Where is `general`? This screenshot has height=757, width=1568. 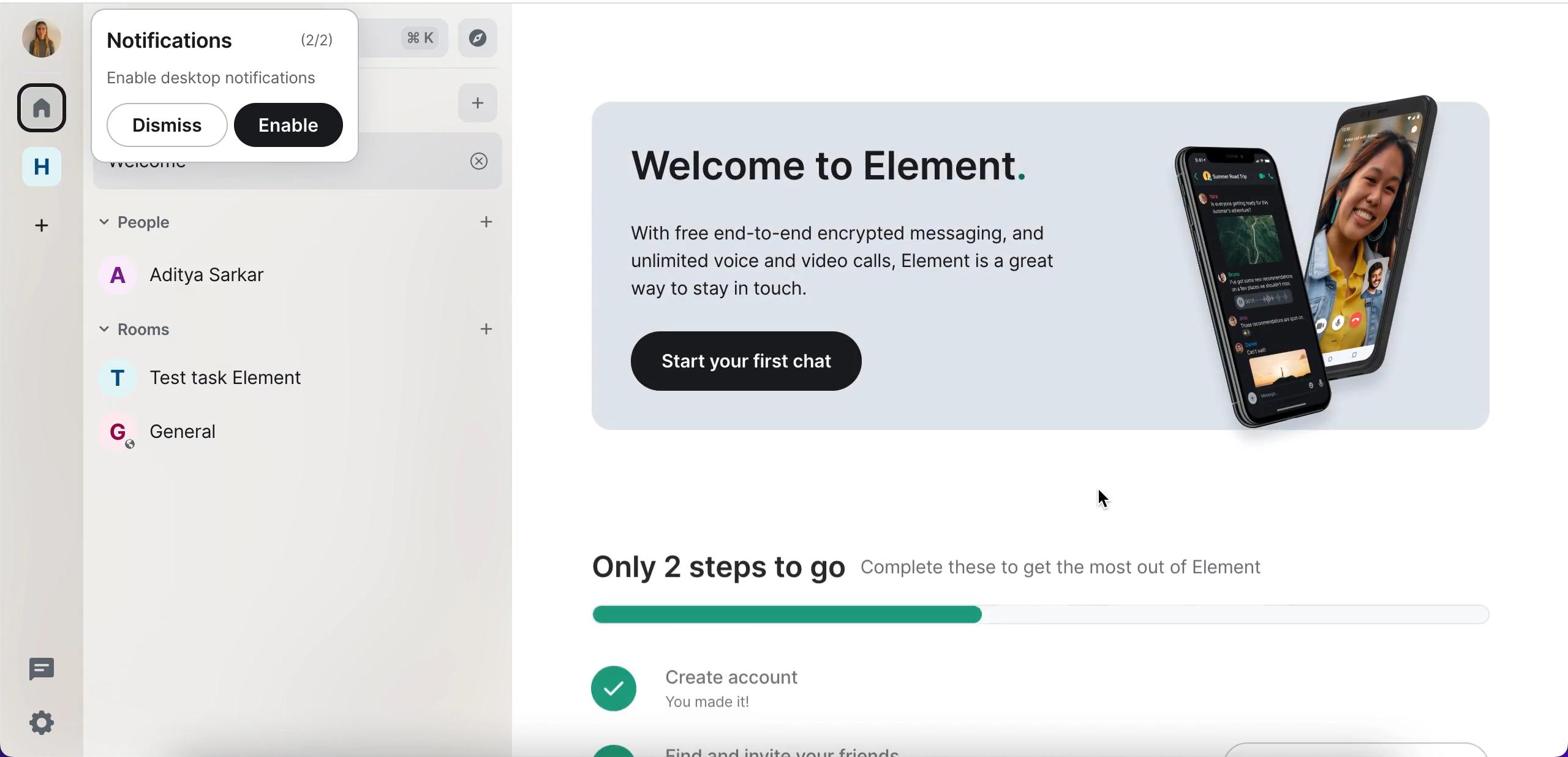 general is located at coordinates (190, 439).